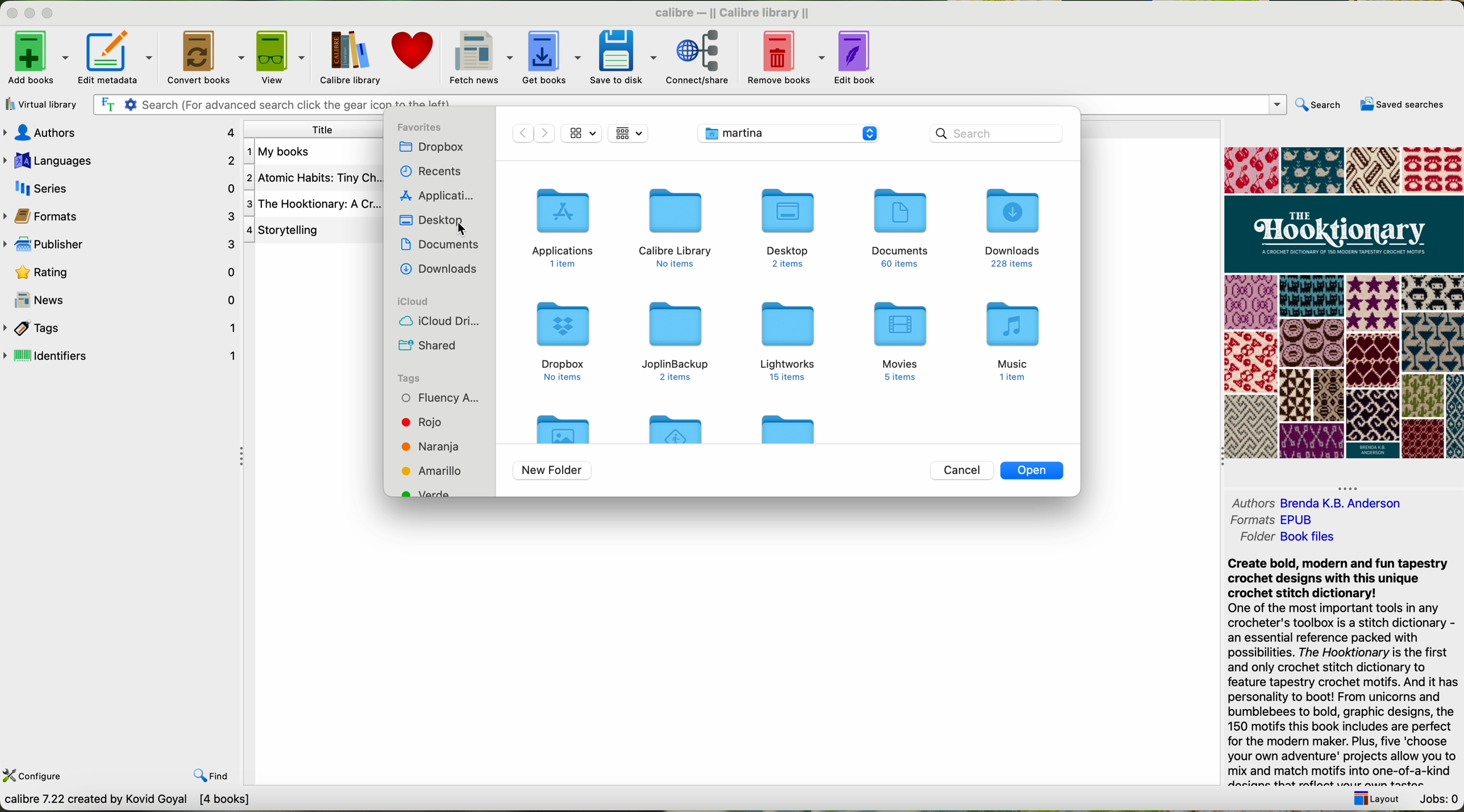  Describe the element at coordinates (1314, 519) in the screenshot. I see `EPUB` at that location.